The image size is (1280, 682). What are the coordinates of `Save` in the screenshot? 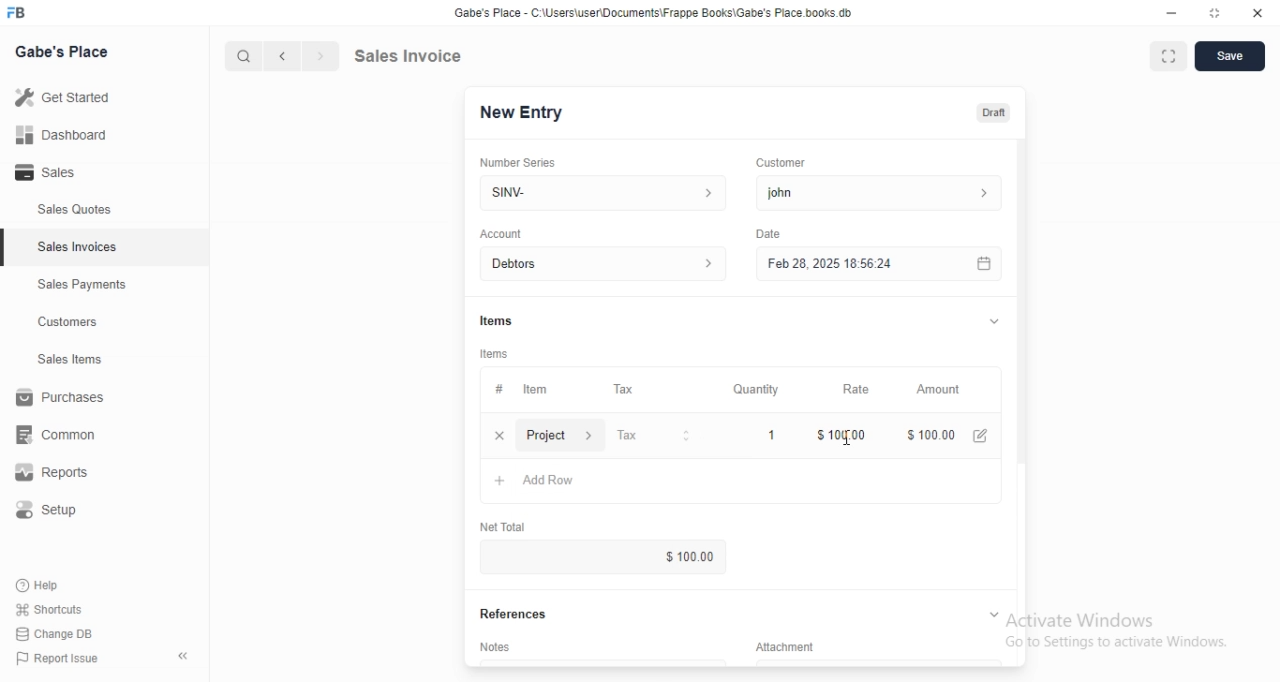 It's located at (1230, 57).